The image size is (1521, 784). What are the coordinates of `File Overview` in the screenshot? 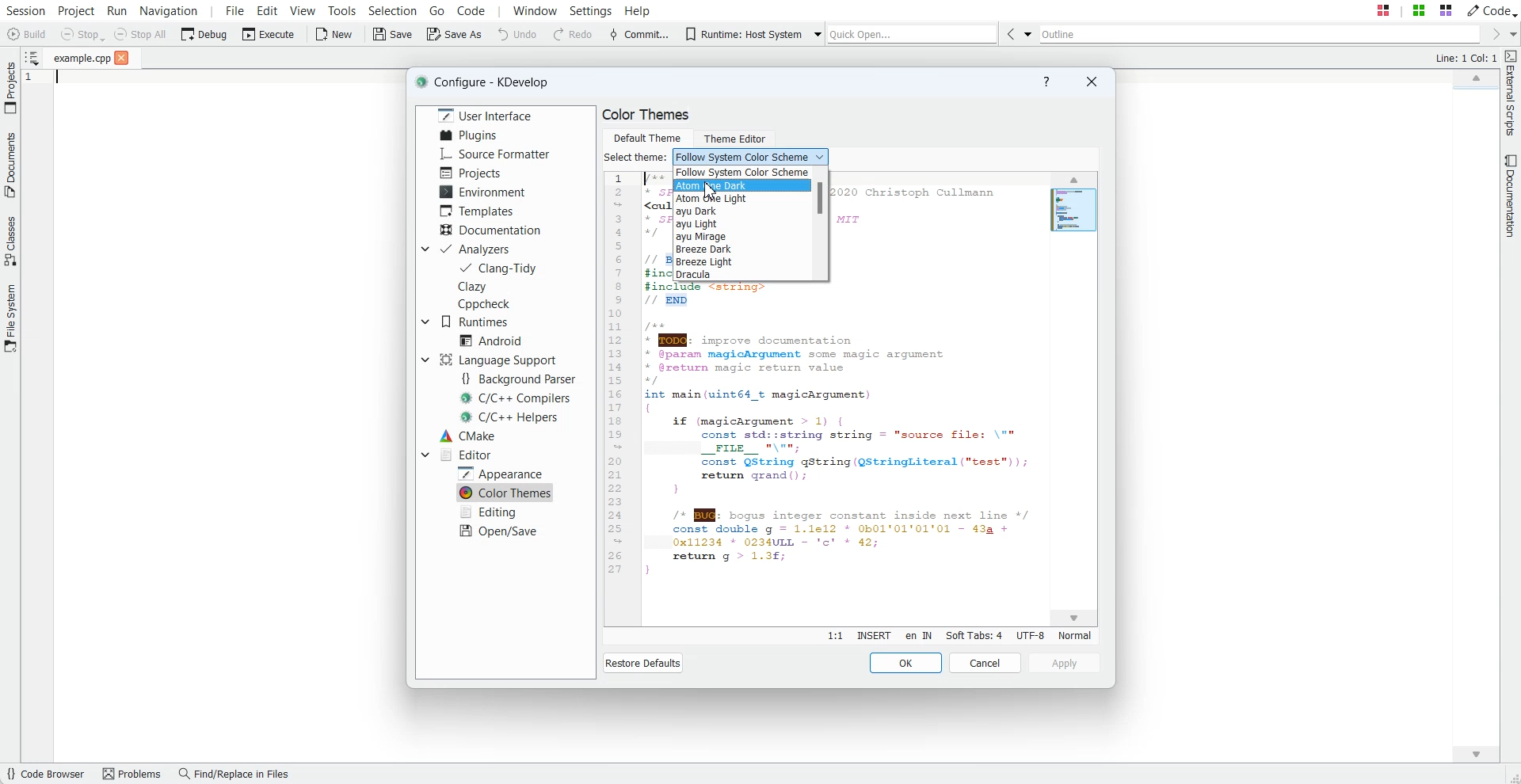 It's located at (1473, 91).